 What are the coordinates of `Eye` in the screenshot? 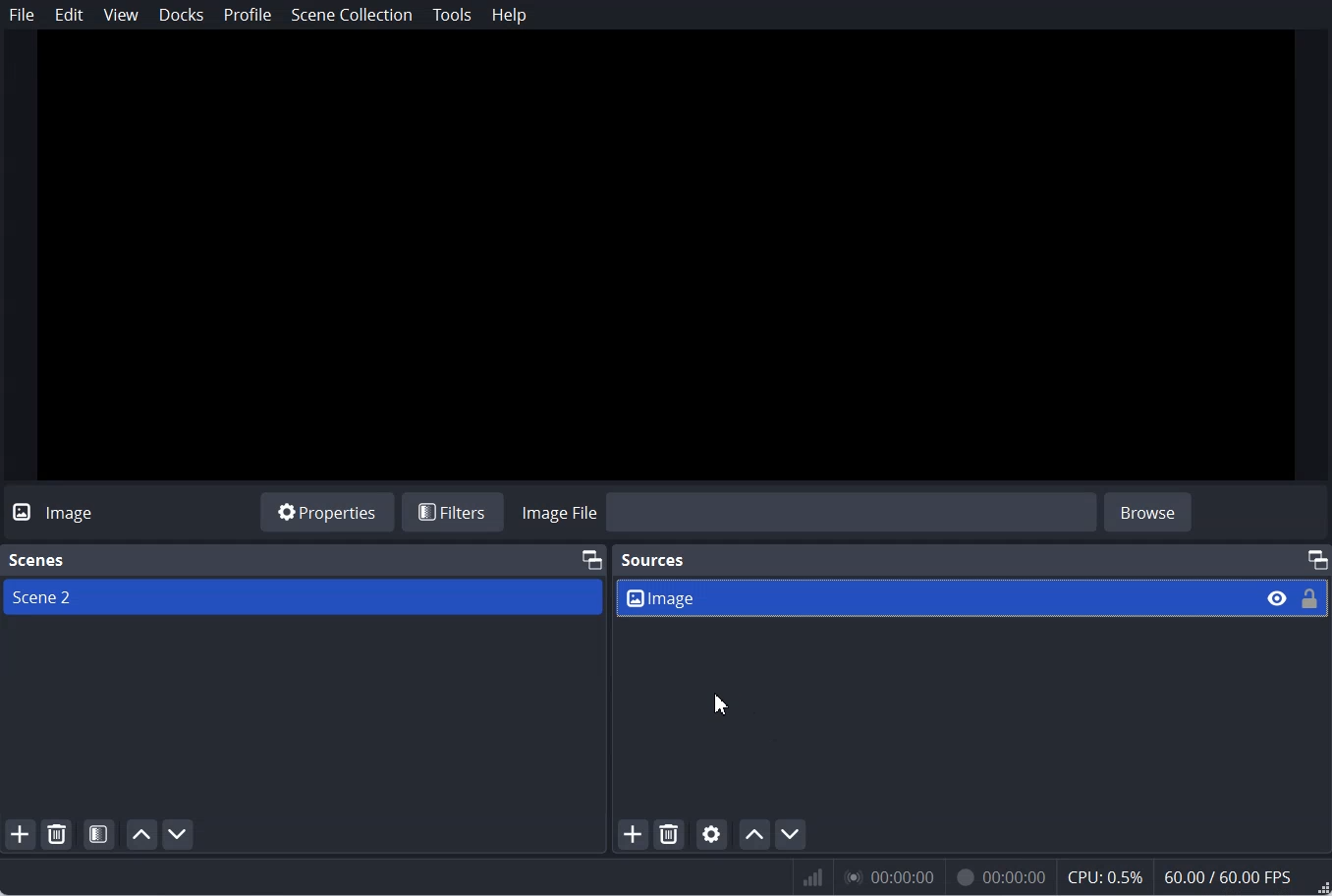 It's located at (1277, 597).